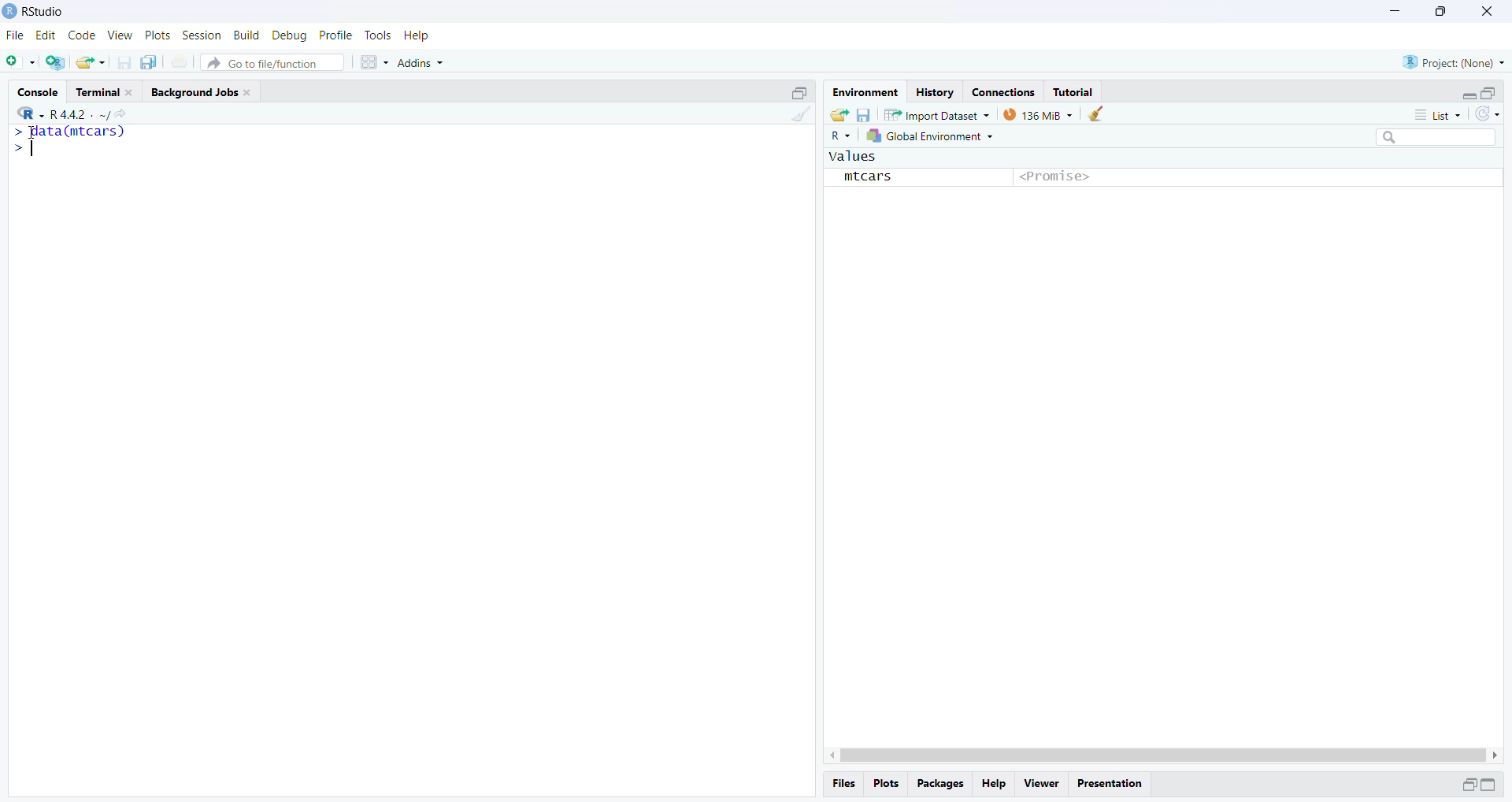 Image resolution: width=1512 pixels, height=802 pixels. What do you see at coordinates (801, 91) in the screenshot?
I see `Maximize` at bounding box center [801, 91].